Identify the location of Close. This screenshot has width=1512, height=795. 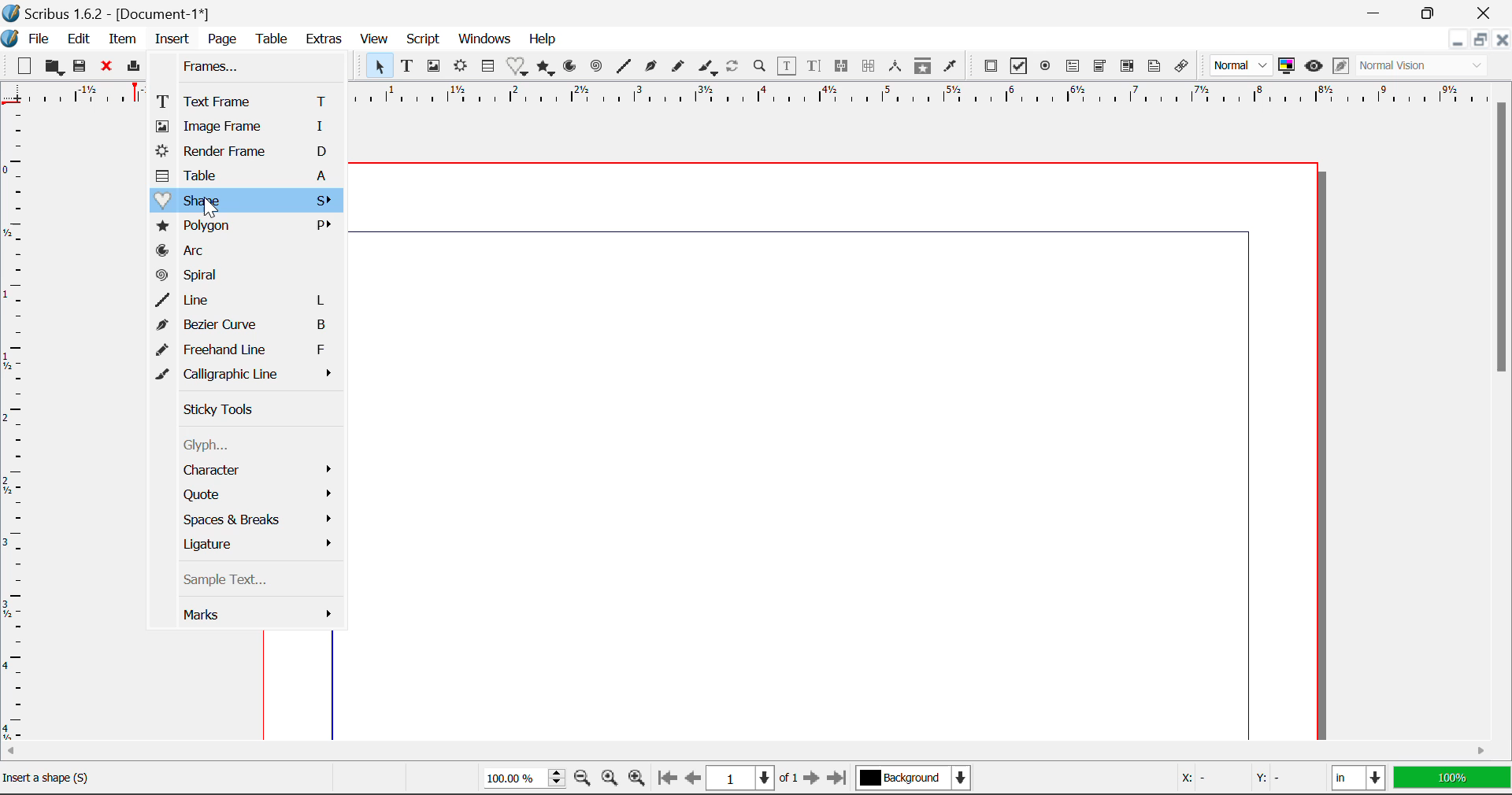
(1503, 42).